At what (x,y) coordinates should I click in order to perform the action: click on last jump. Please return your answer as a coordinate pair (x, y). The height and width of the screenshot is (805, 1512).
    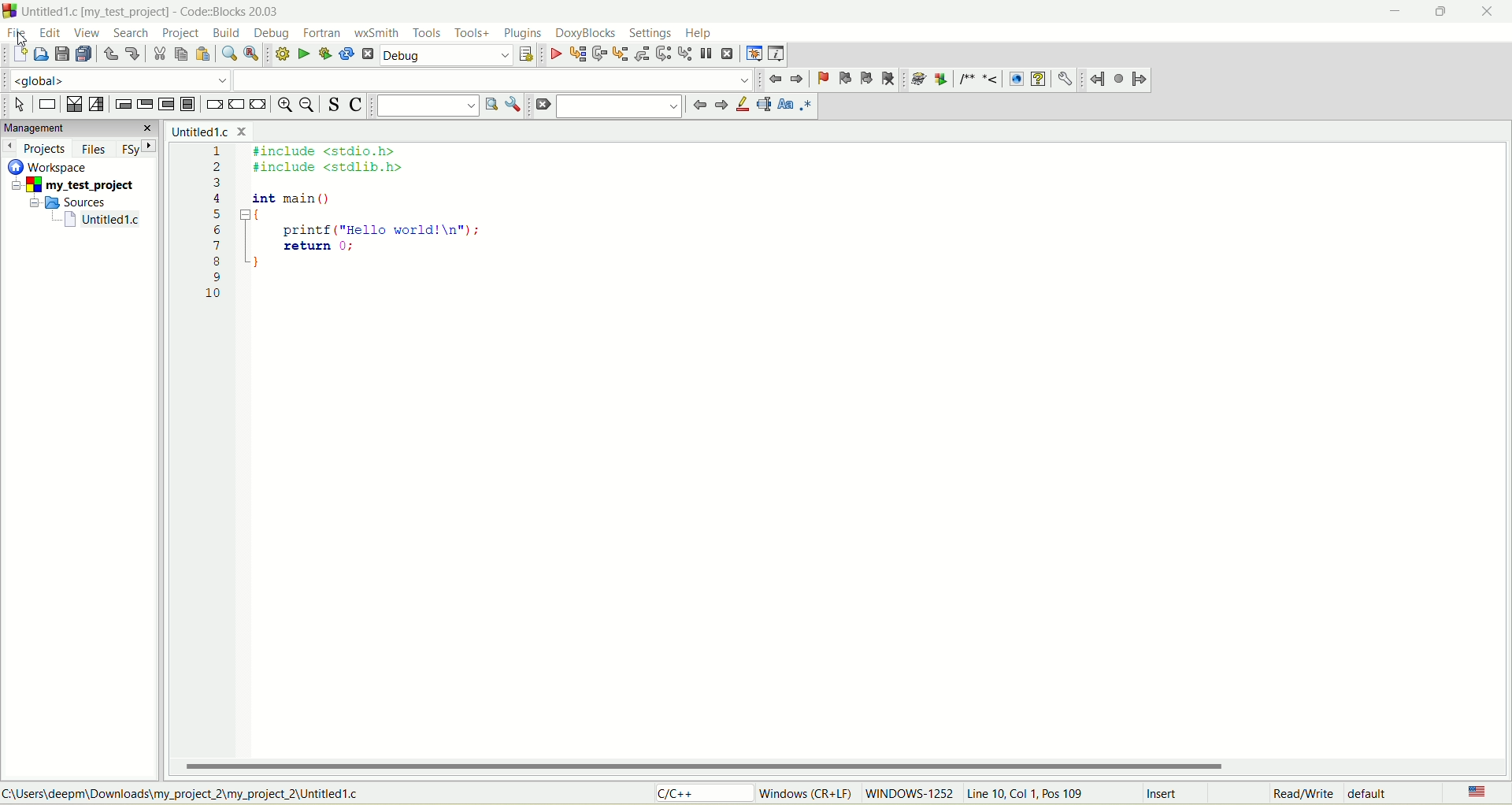
    Looking at the image, I should click on (1120, 79).